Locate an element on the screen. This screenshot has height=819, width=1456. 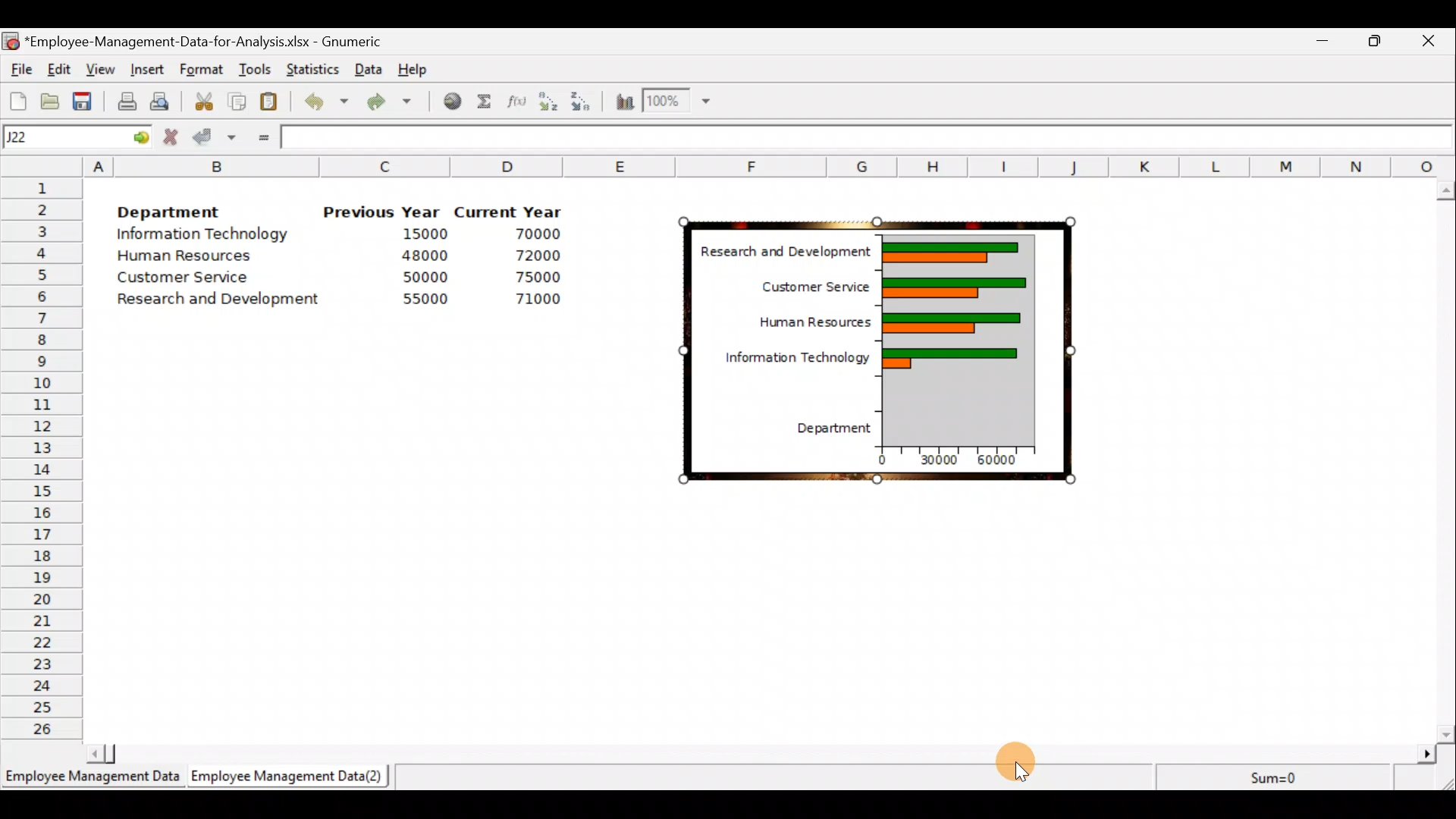
Enter formula is located at coordinates (261, 138).